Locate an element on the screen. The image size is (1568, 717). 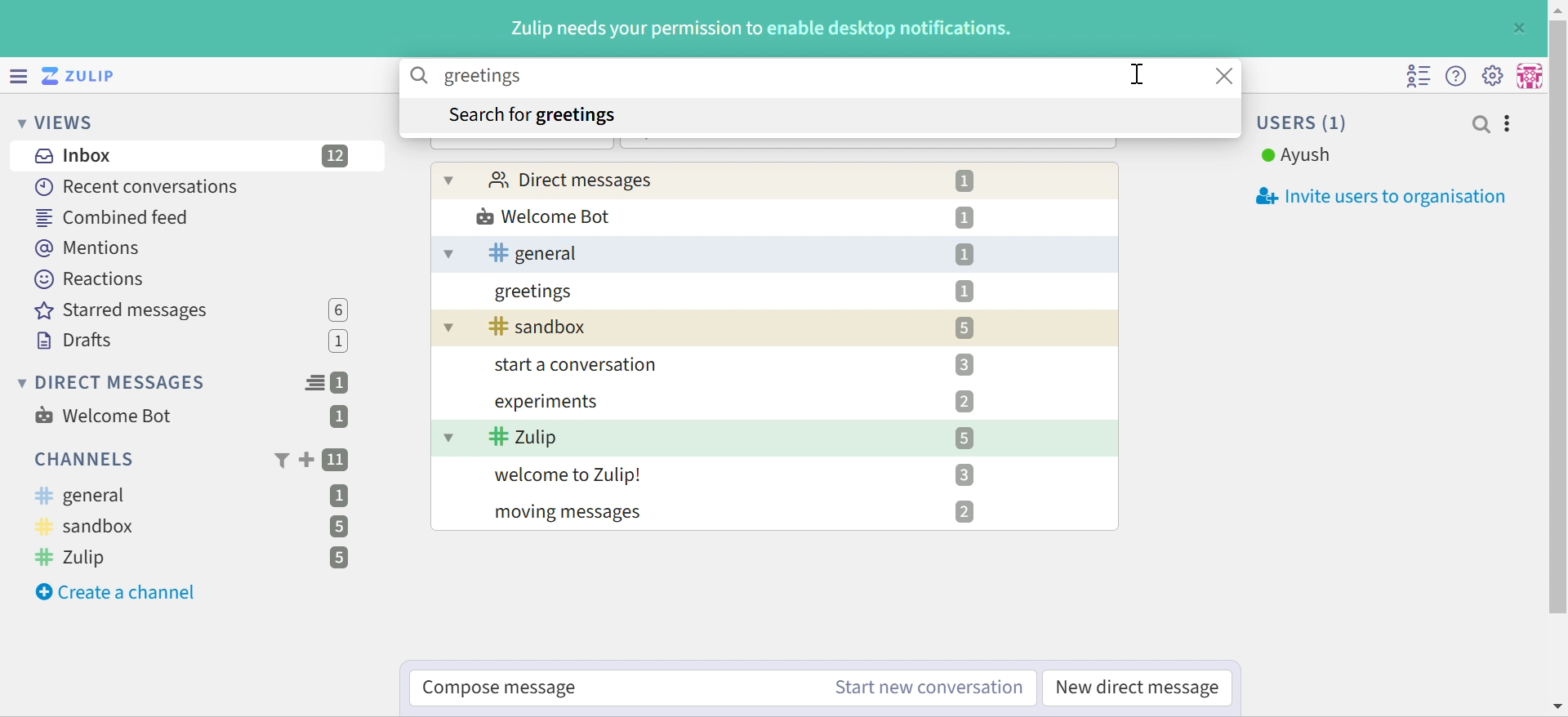
Channels is located at coordinates (82, 459).